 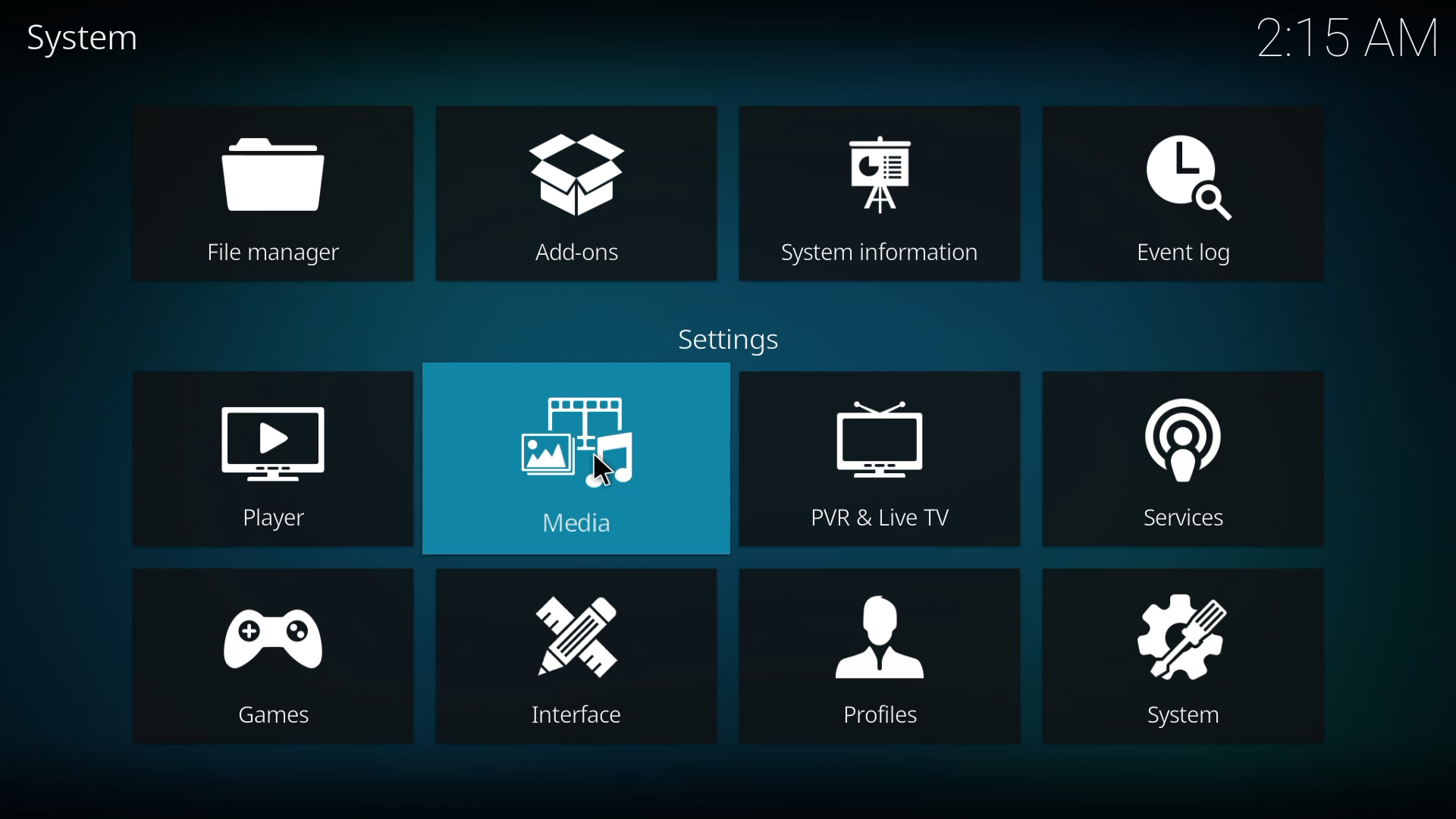 I want to click on settings, so click(x=724, y=337).